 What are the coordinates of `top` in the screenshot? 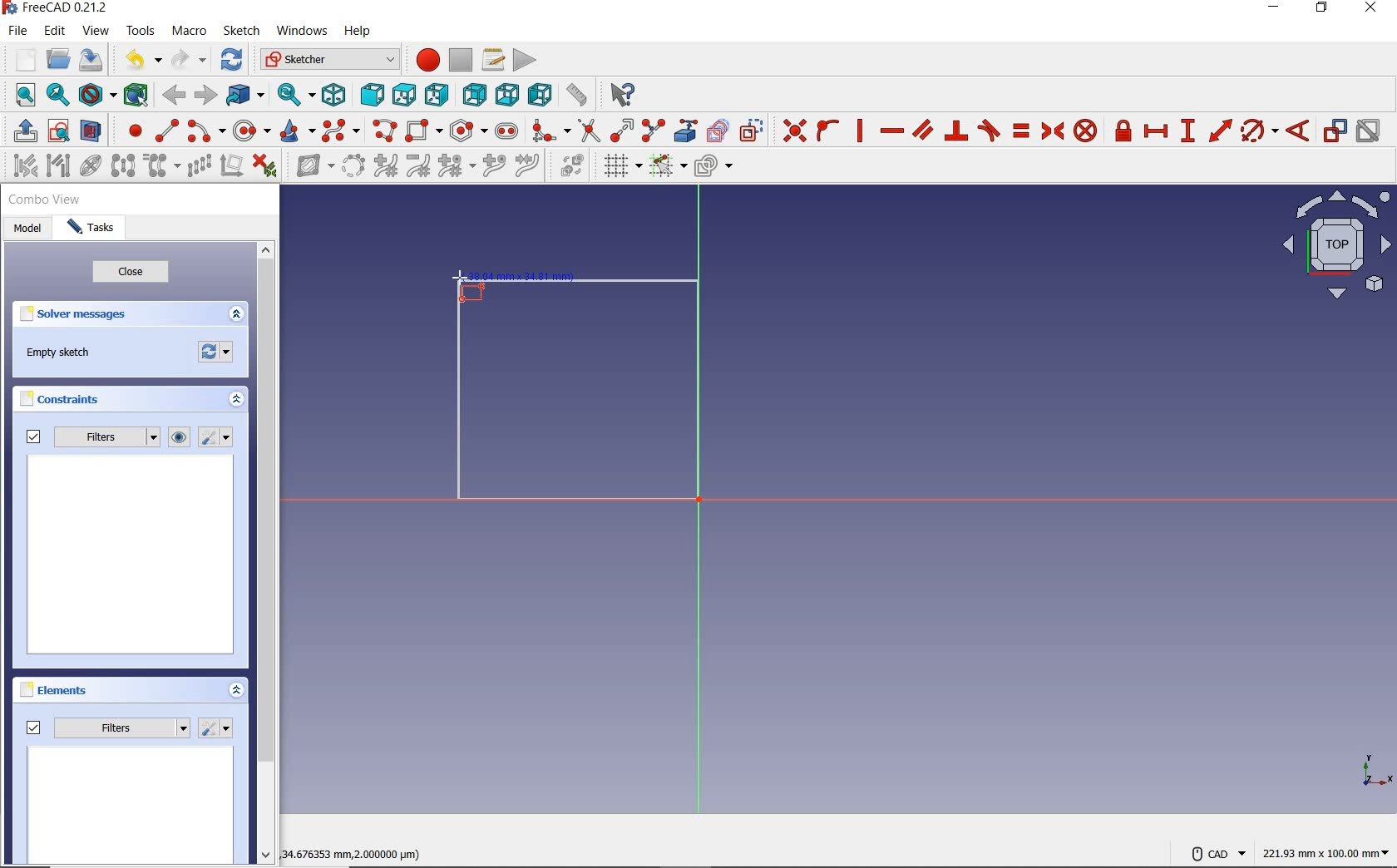 It's located at (404, 95).